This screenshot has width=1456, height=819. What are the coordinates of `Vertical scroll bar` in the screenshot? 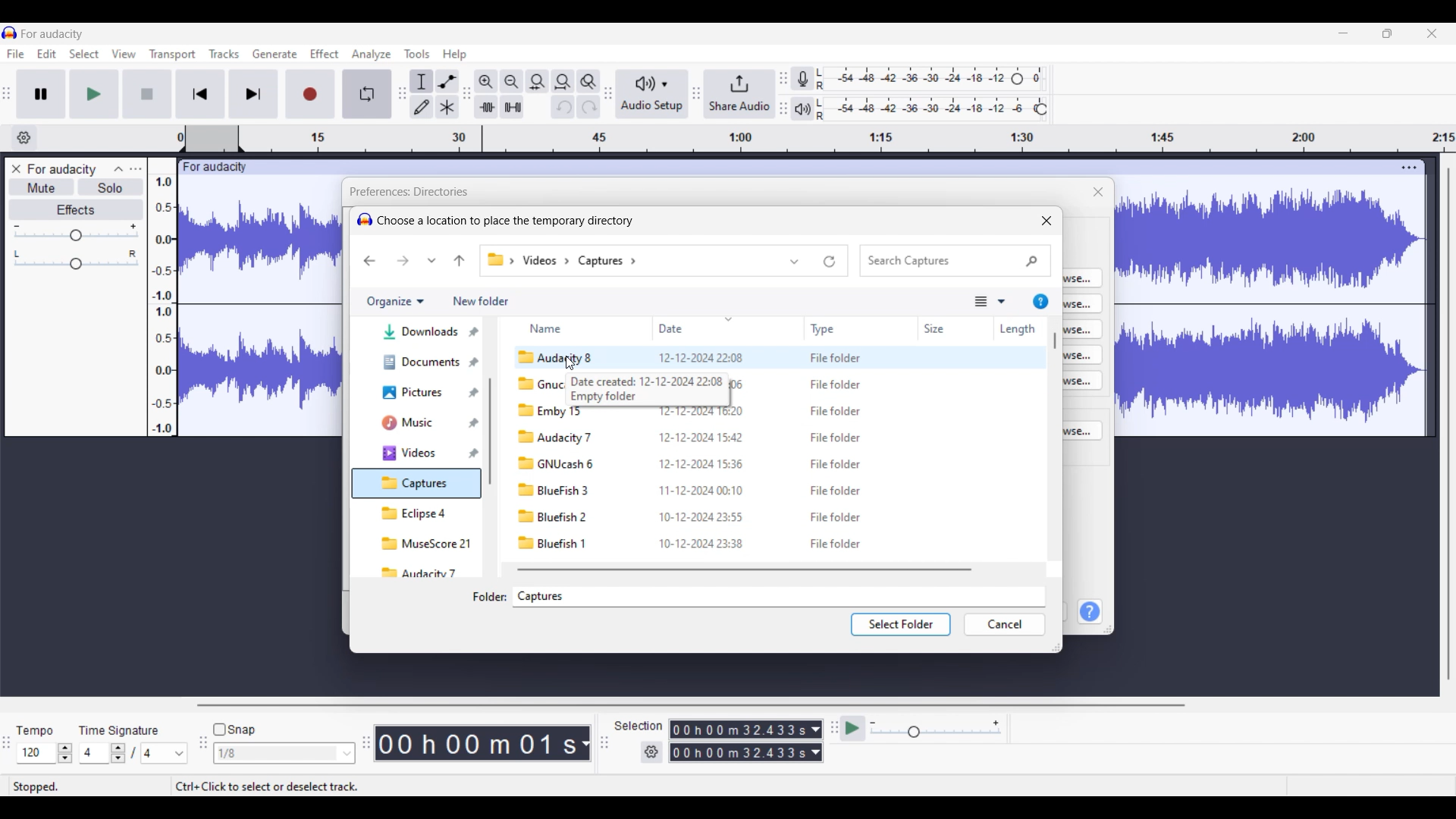 It's located at (1056, 340).